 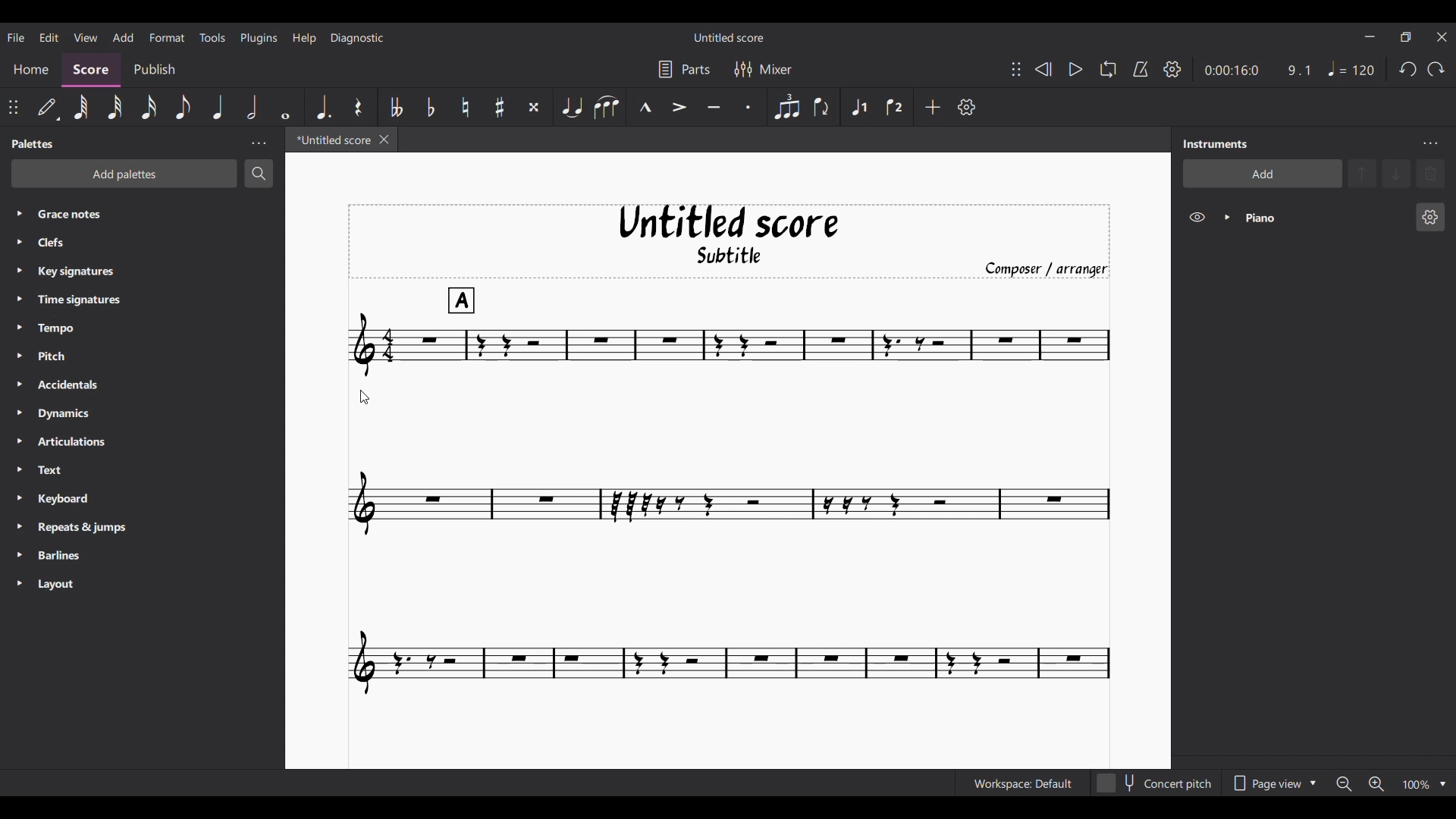 I want to click on Quarter note, so click(x=218, y=107).